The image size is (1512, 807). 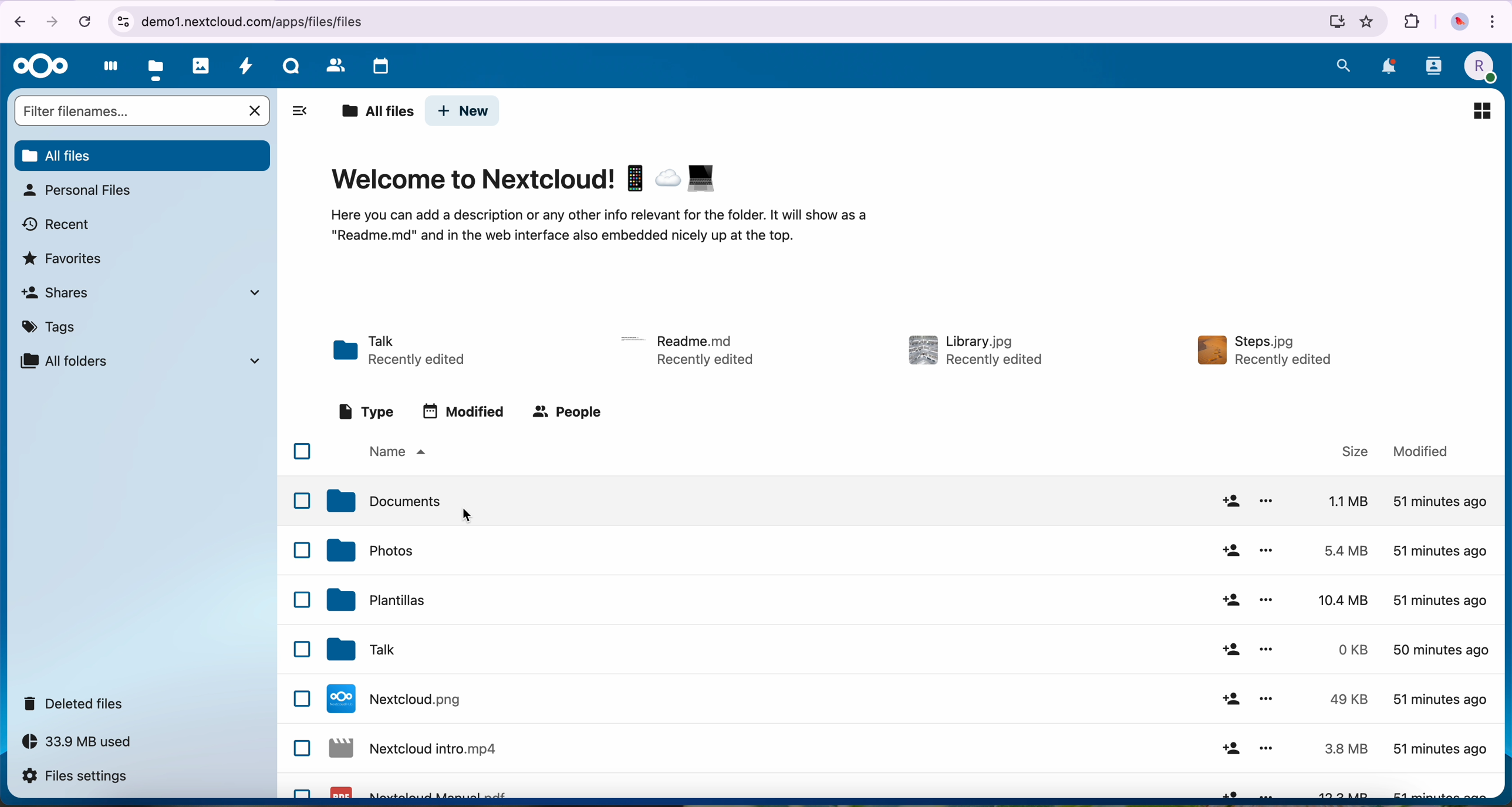 I want to click on type, so click(x=367, y=413).